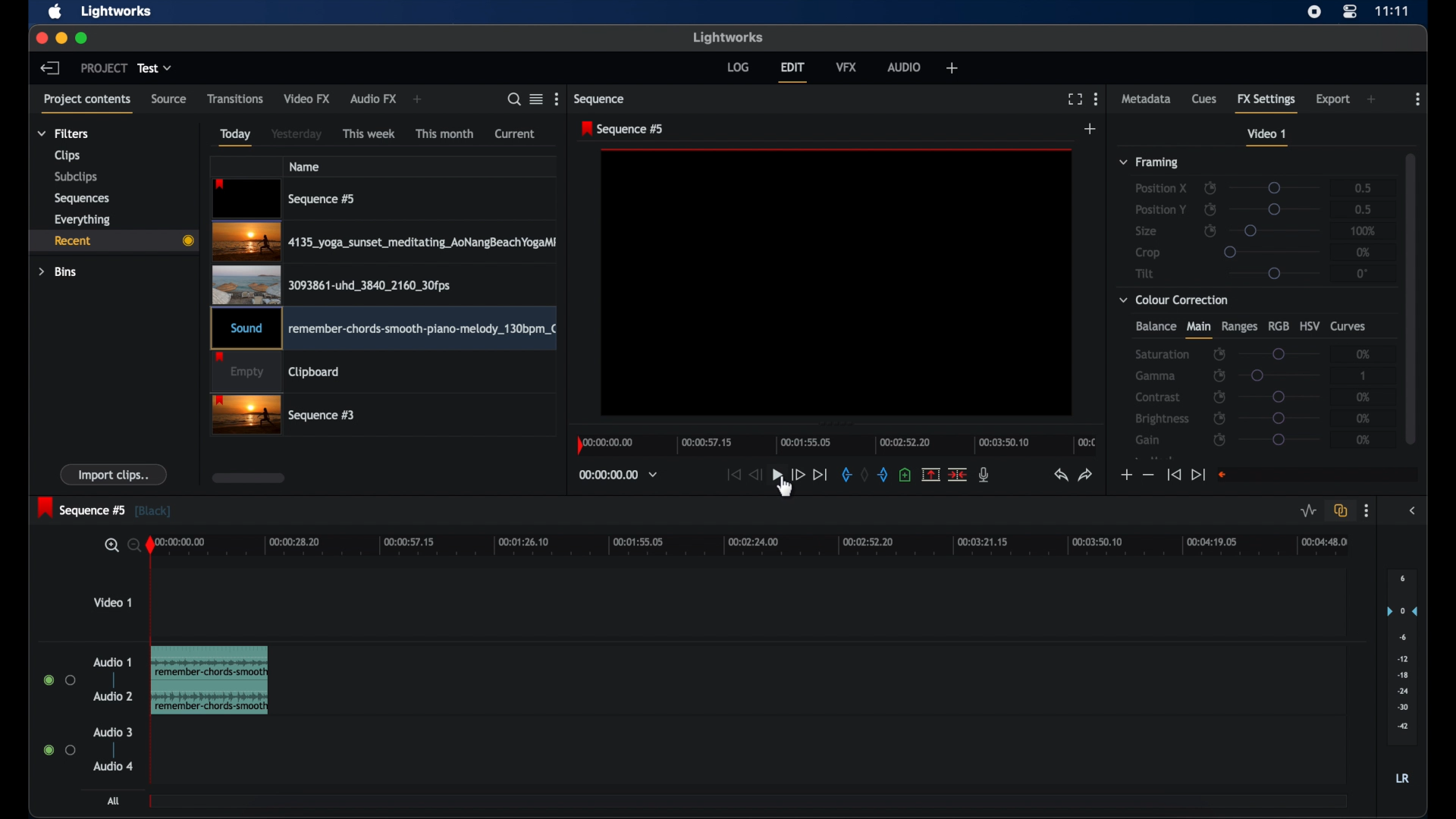 The image size is (1456, 819). What do you see at coordinates (1086, 475) in the screenshot?
I see `redo` at bounding box center [1086, 475].